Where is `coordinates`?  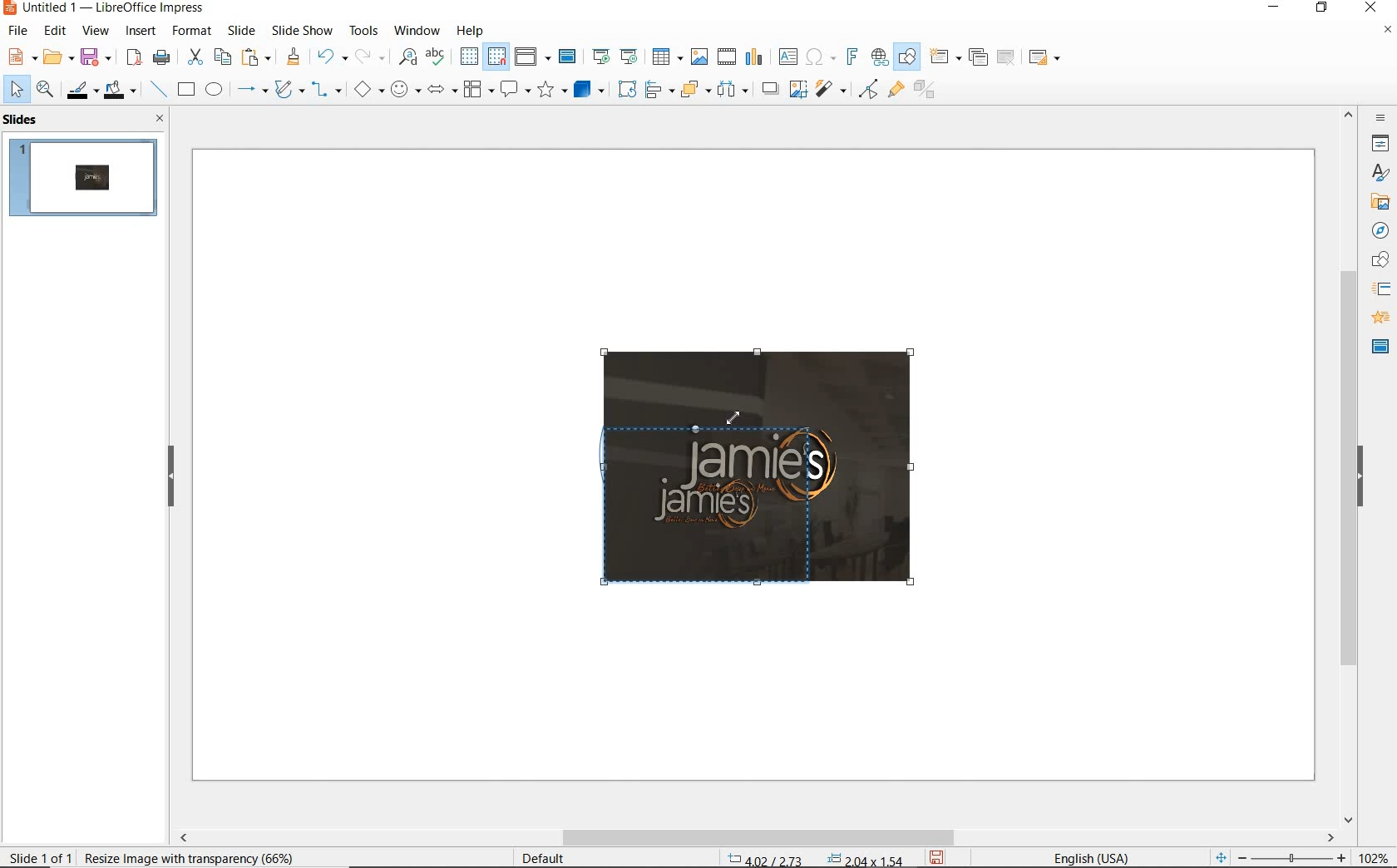
coordinates is located at coordinates (813, 860).